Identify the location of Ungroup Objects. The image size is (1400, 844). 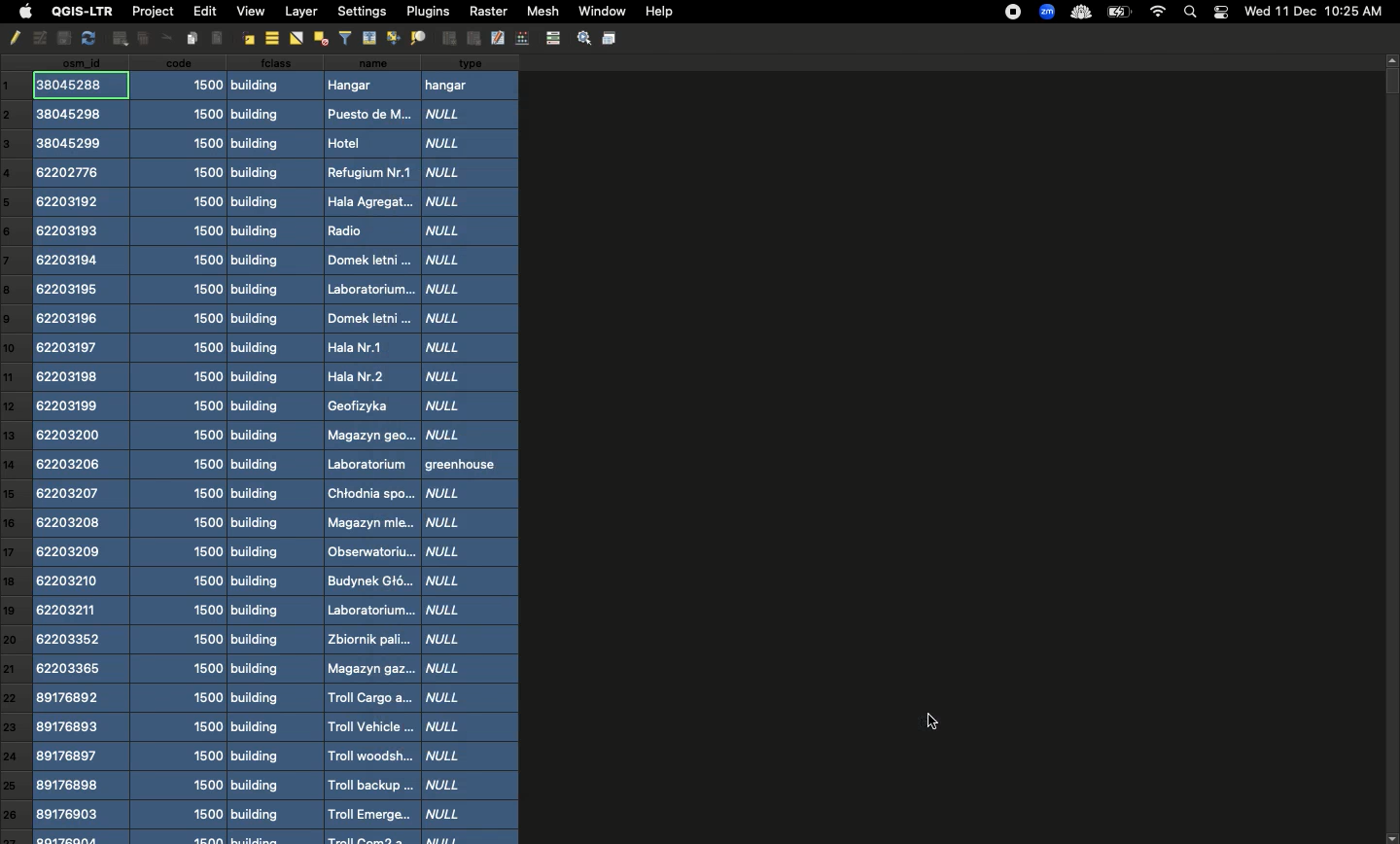
(472, 39).